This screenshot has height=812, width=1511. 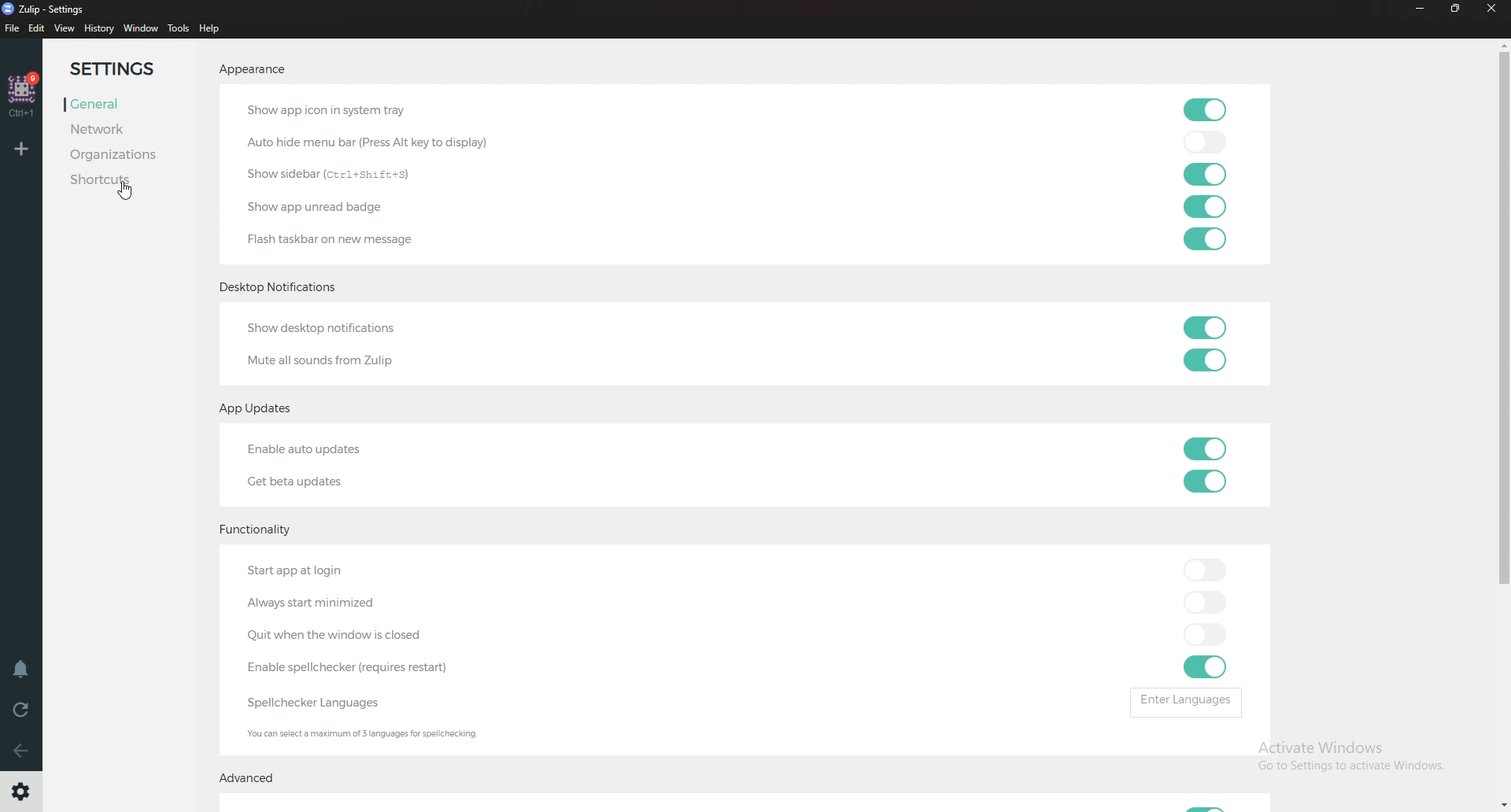 I want to click on Scroll bar, so click(x=1503, y=423).